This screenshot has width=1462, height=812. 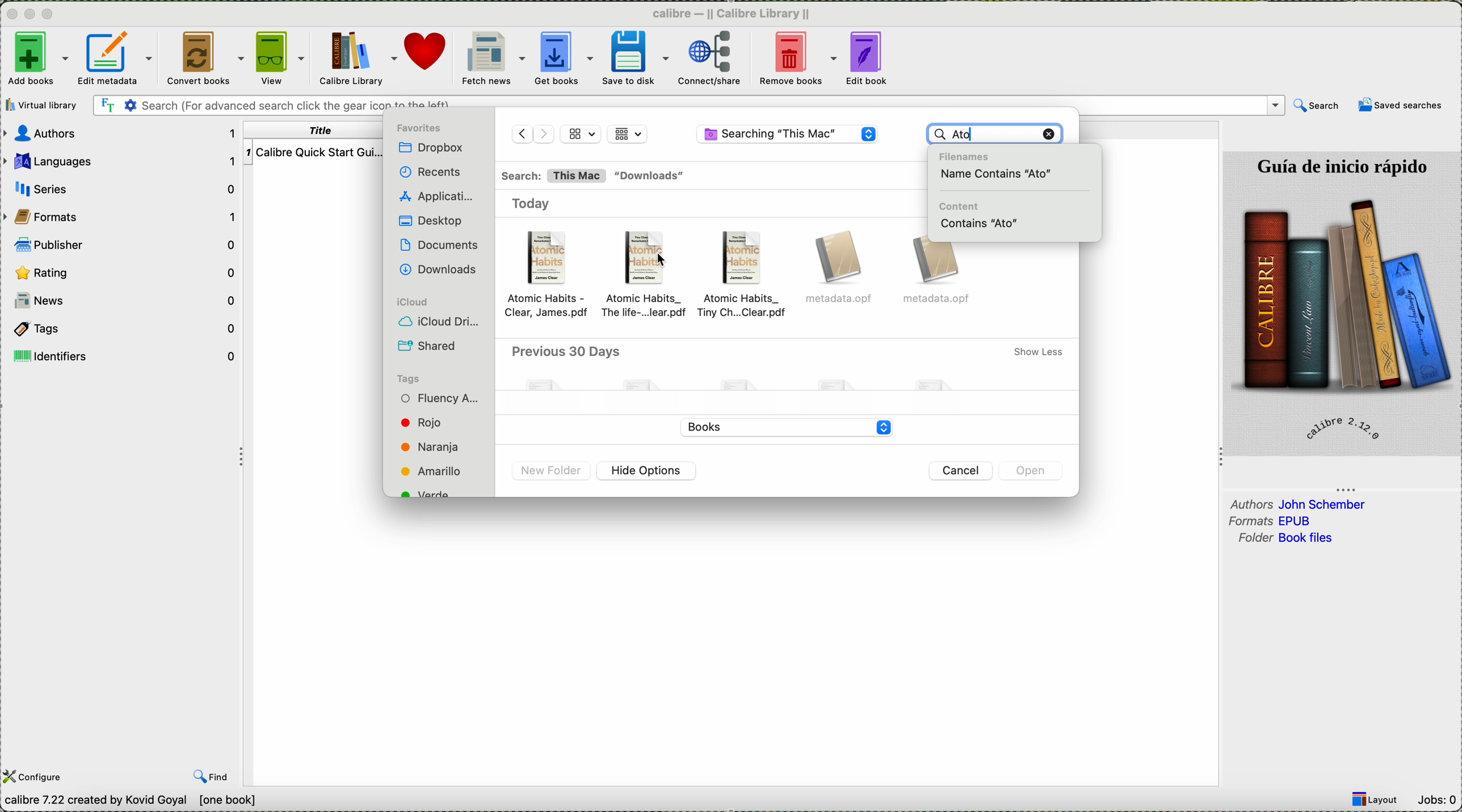 What do you see at coordinates (552, 472) in the screenshot?
I see `new folder` at bounding box center [552, 472].